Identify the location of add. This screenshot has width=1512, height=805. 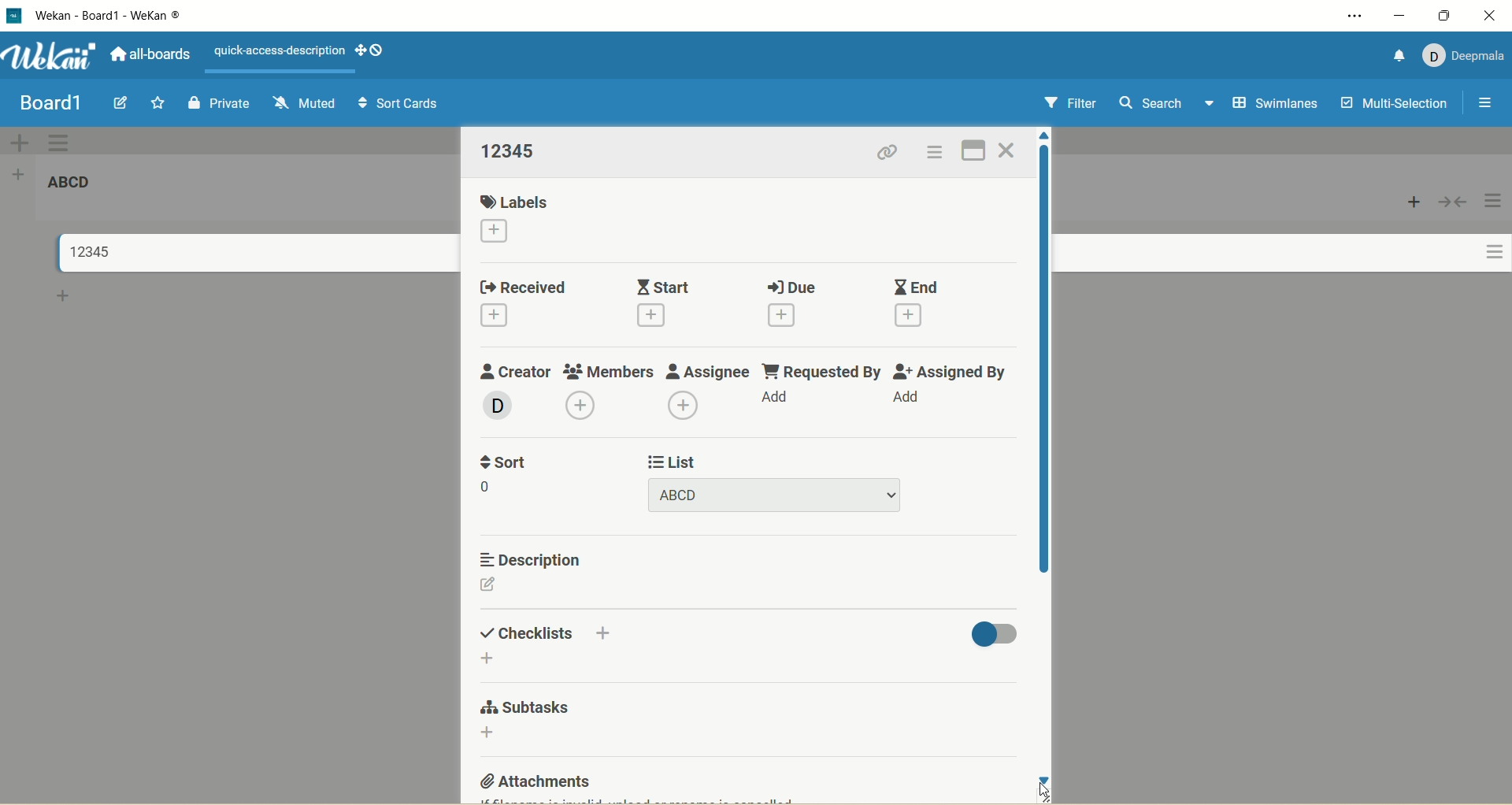
(655, 316).